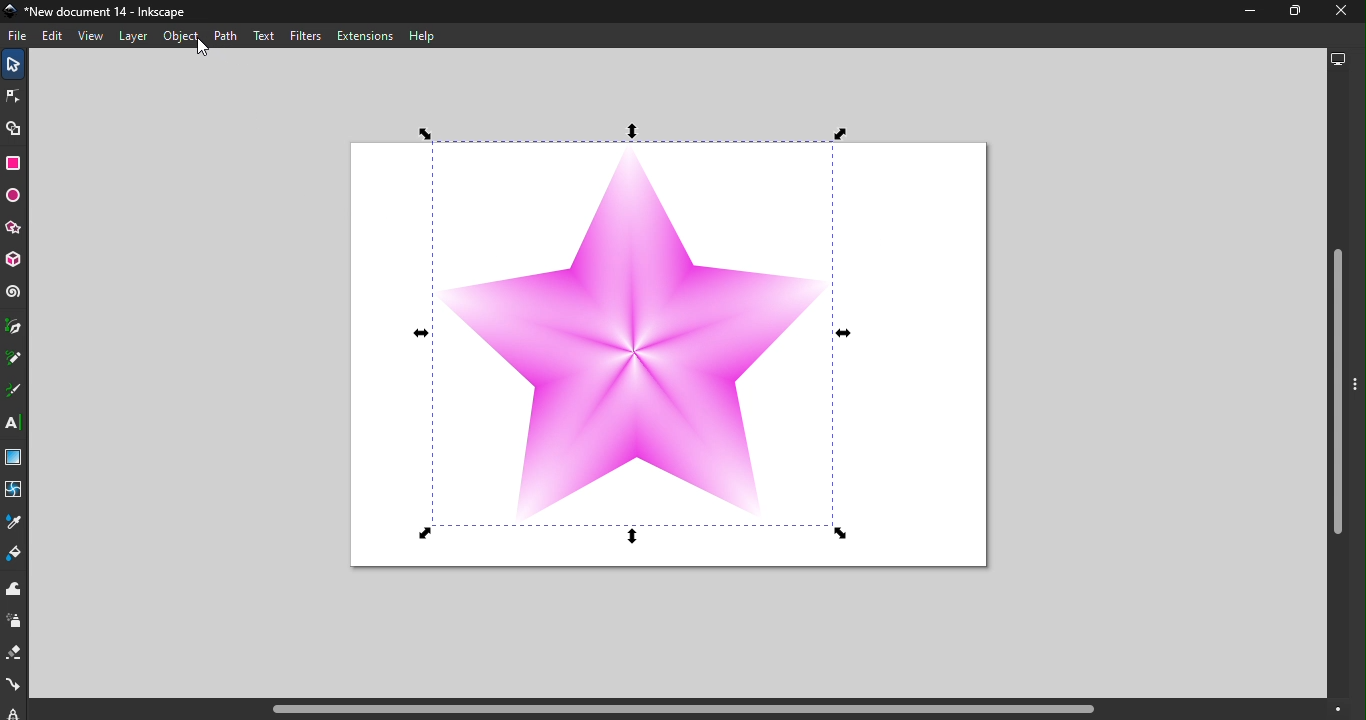  What do you see at coordinates (101, 11) in the screenshot?
I see `Document name` at bounding box center [101, 11].